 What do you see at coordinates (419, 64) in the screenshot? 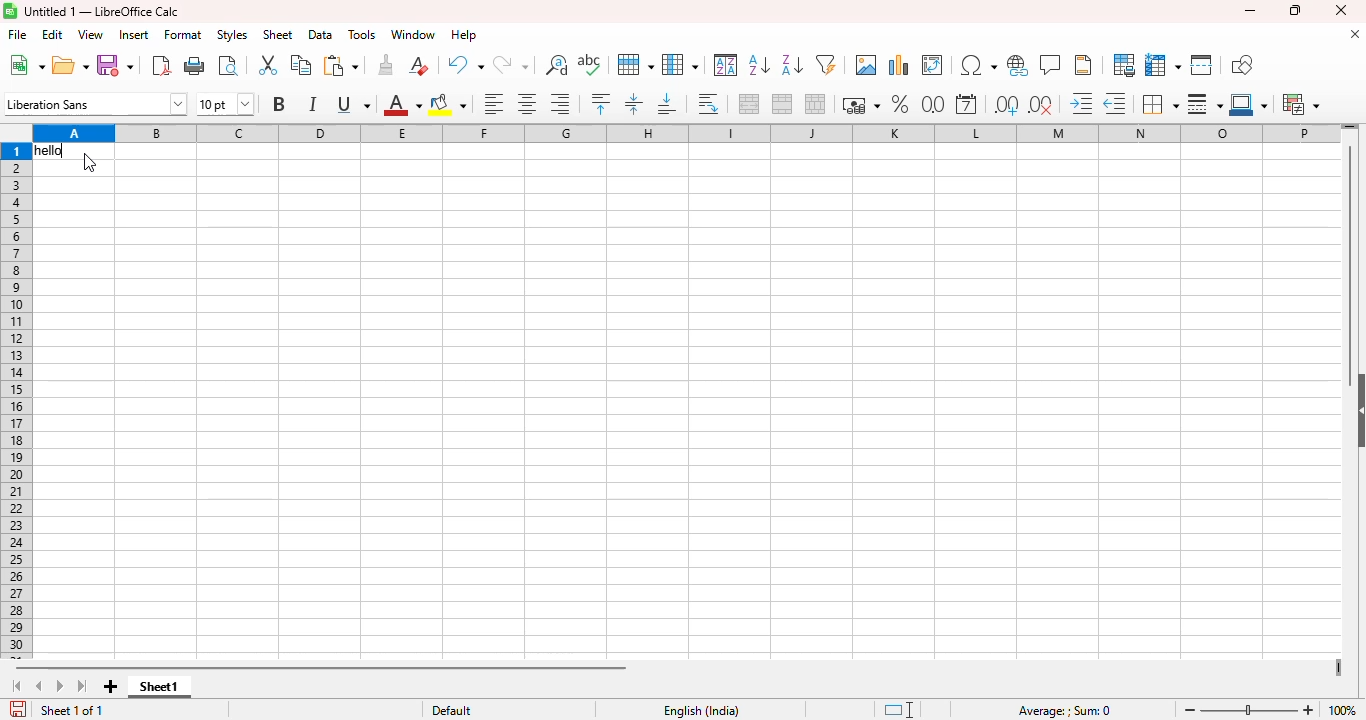
I see `clear direct formatting` at bounding box center [419, 64].